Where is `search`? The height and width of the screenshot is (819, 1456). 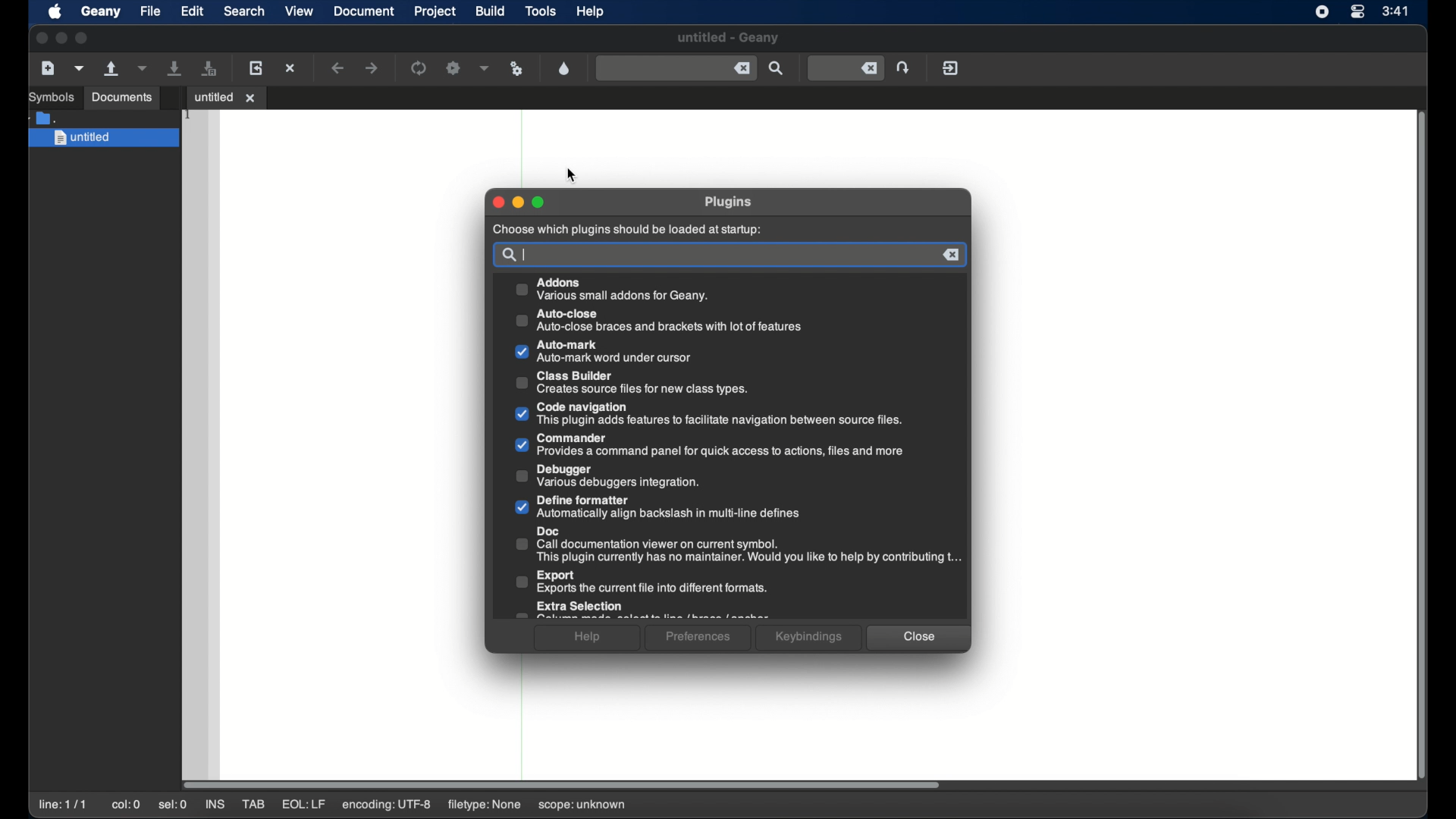
search is located at coordinates (513, 255).